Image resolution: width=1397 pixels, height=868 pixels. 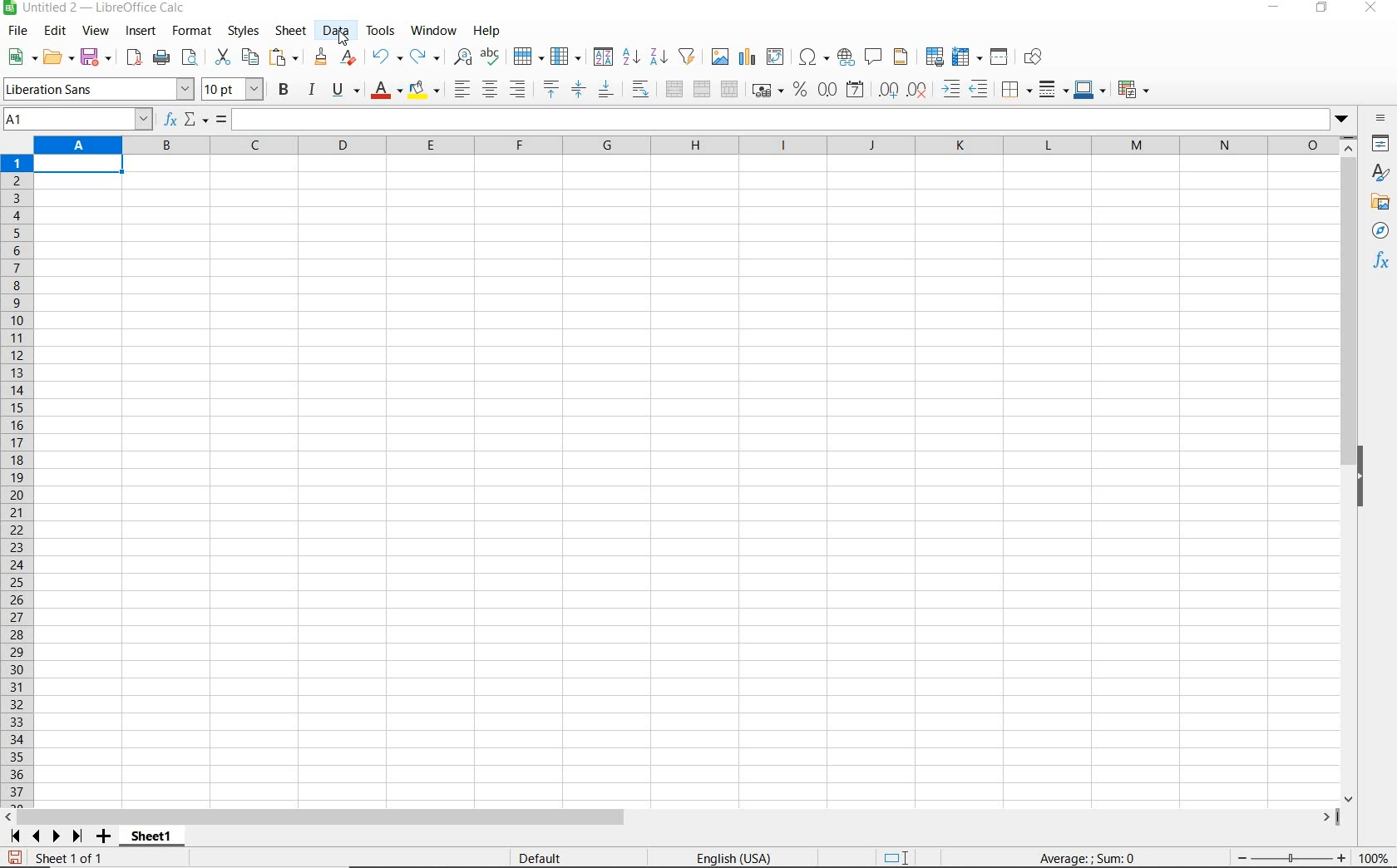 What do you see at coordinates (1381, 175) in the screenshot?
I see `styles` at bounding box center [1381, 175].